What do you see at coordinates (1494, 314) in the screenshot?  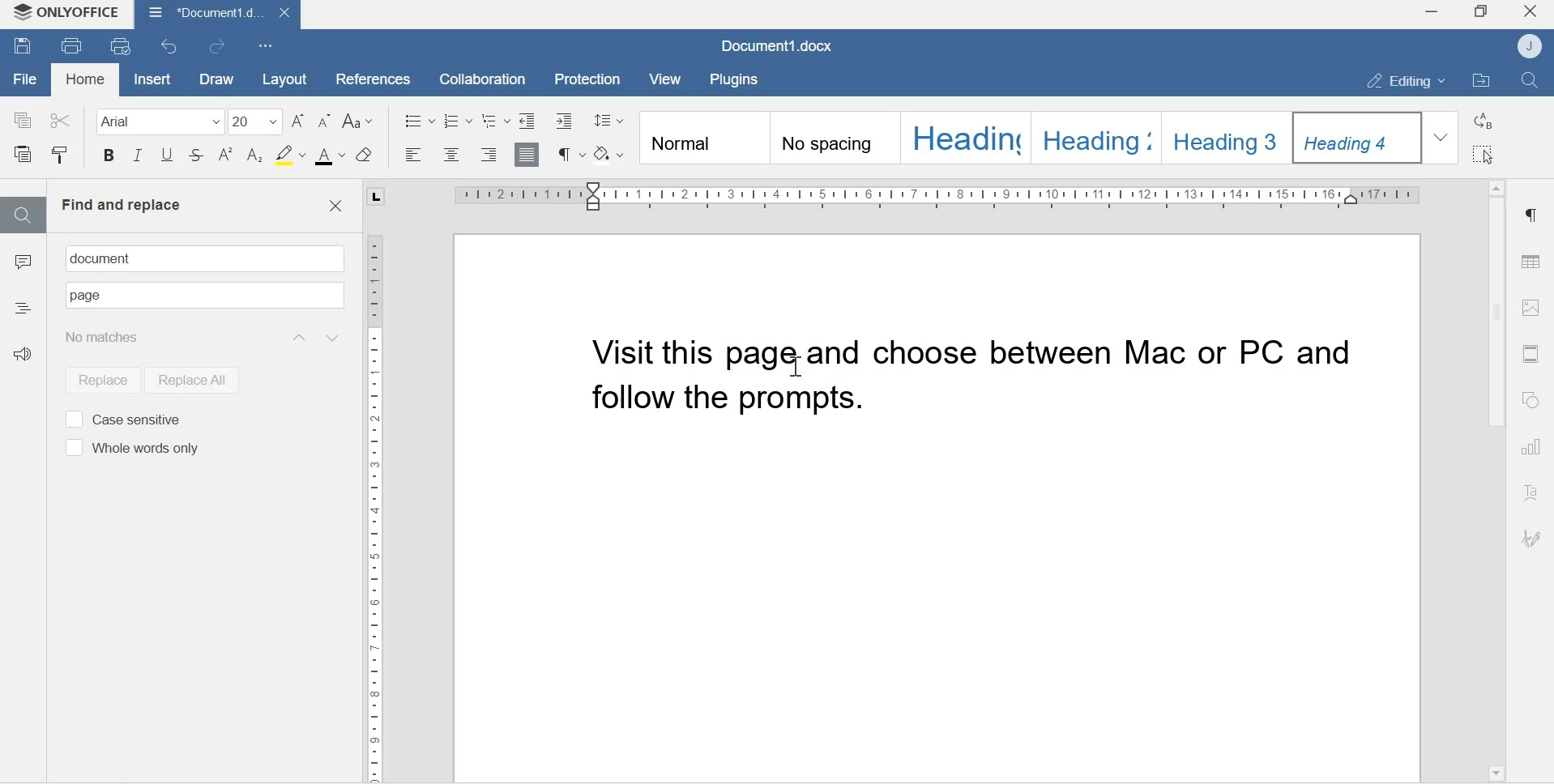 I see `Scrollbar` at bounding box center [1494, 314].